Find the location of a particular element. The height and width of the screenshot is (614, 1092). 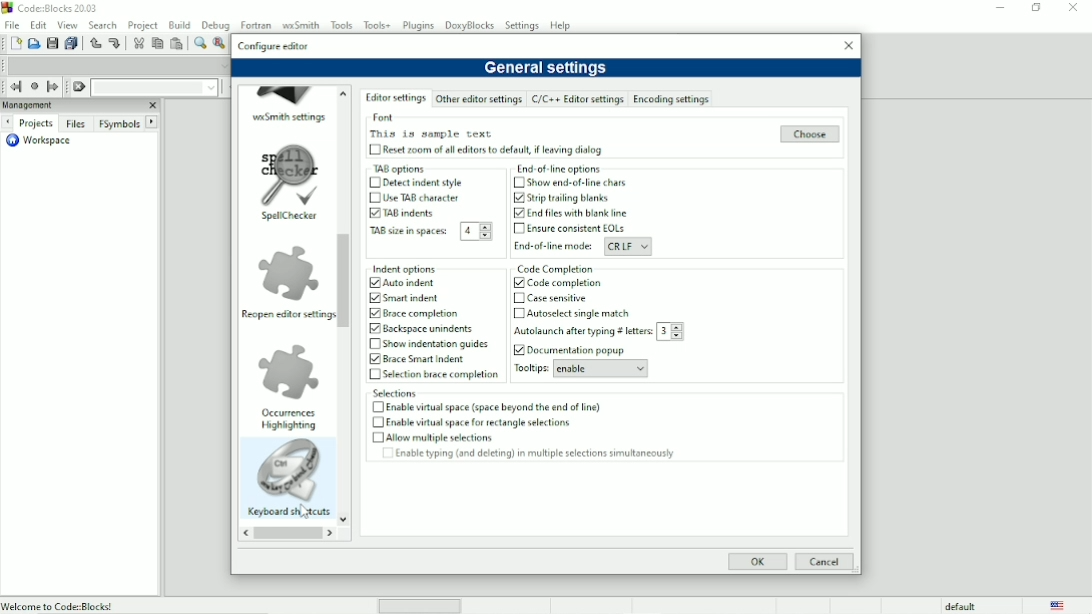

Fortran is located at coordinates (255, 23).